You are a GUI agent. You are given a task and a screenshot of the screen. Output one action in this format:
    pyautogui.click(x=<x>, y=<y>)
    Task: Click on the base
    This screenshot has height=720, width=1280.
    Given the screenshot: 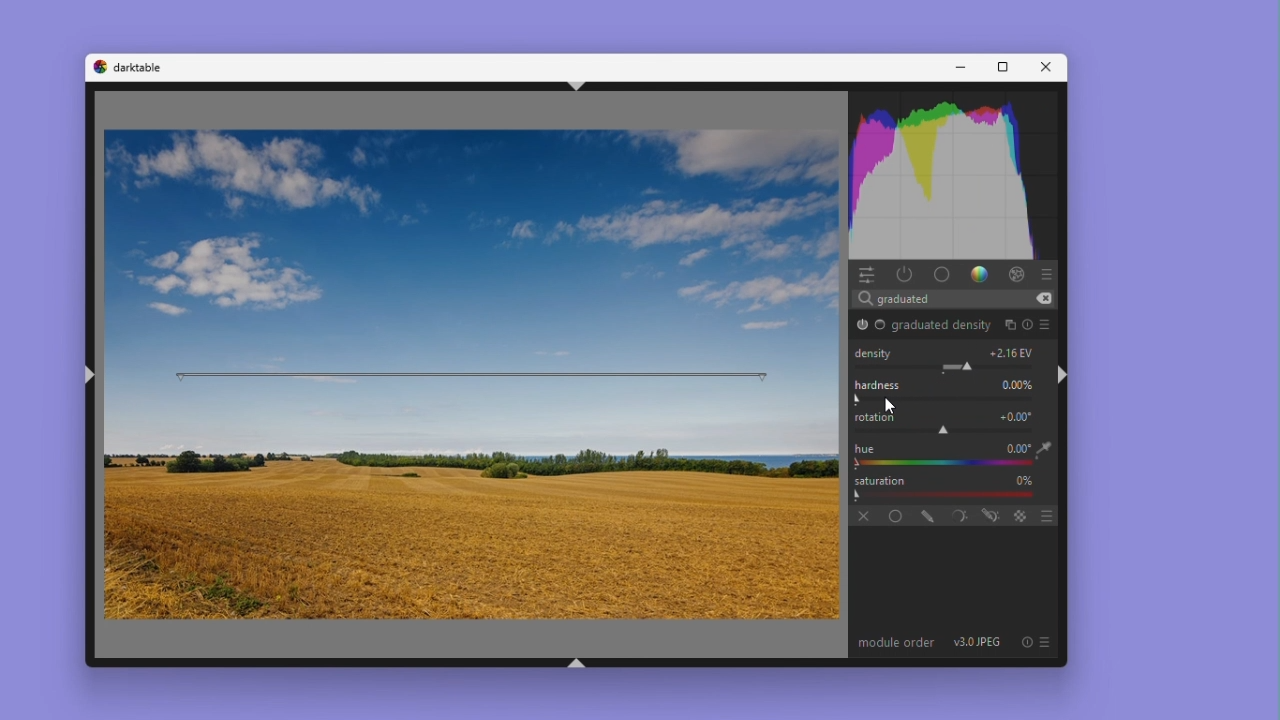 What is the action you would take?
    pyautogui.click(x=941, y=274)
    